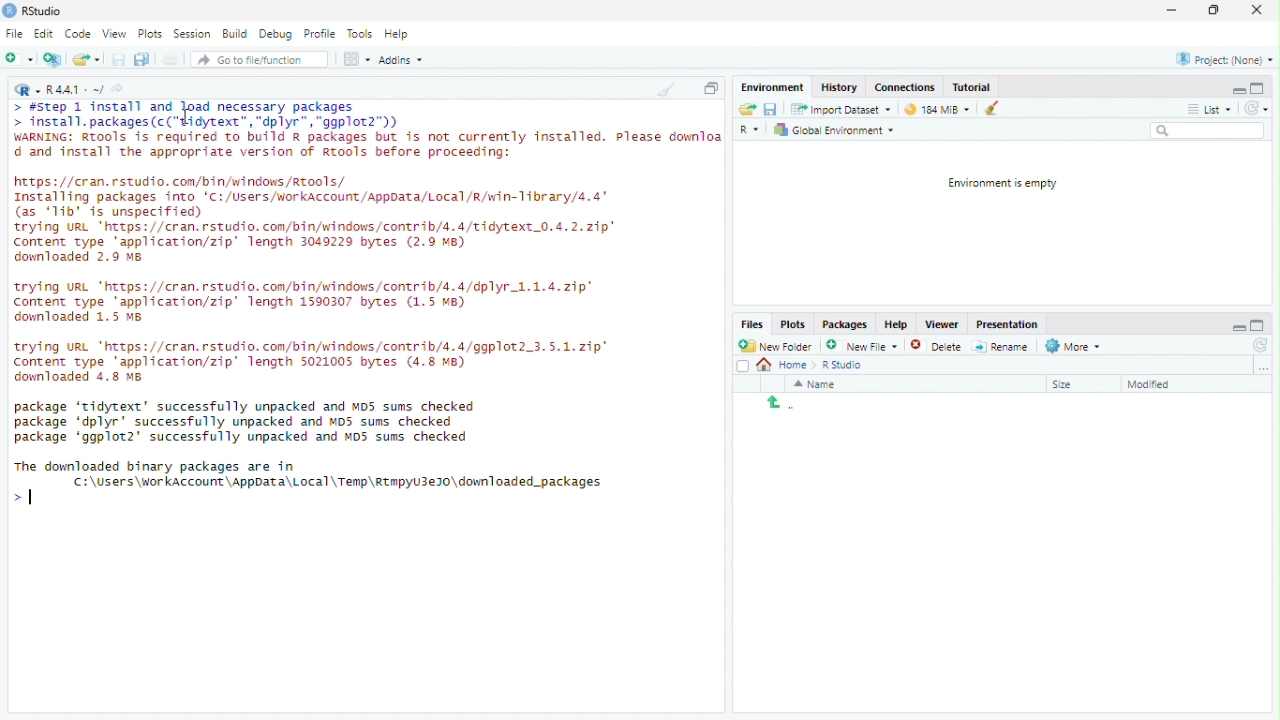 This screenshot has width=1280, height=720. What do you see at coordinates (1257, 88) in the screenshot?
I see `Maximize` at bounding box center [1257, 88].